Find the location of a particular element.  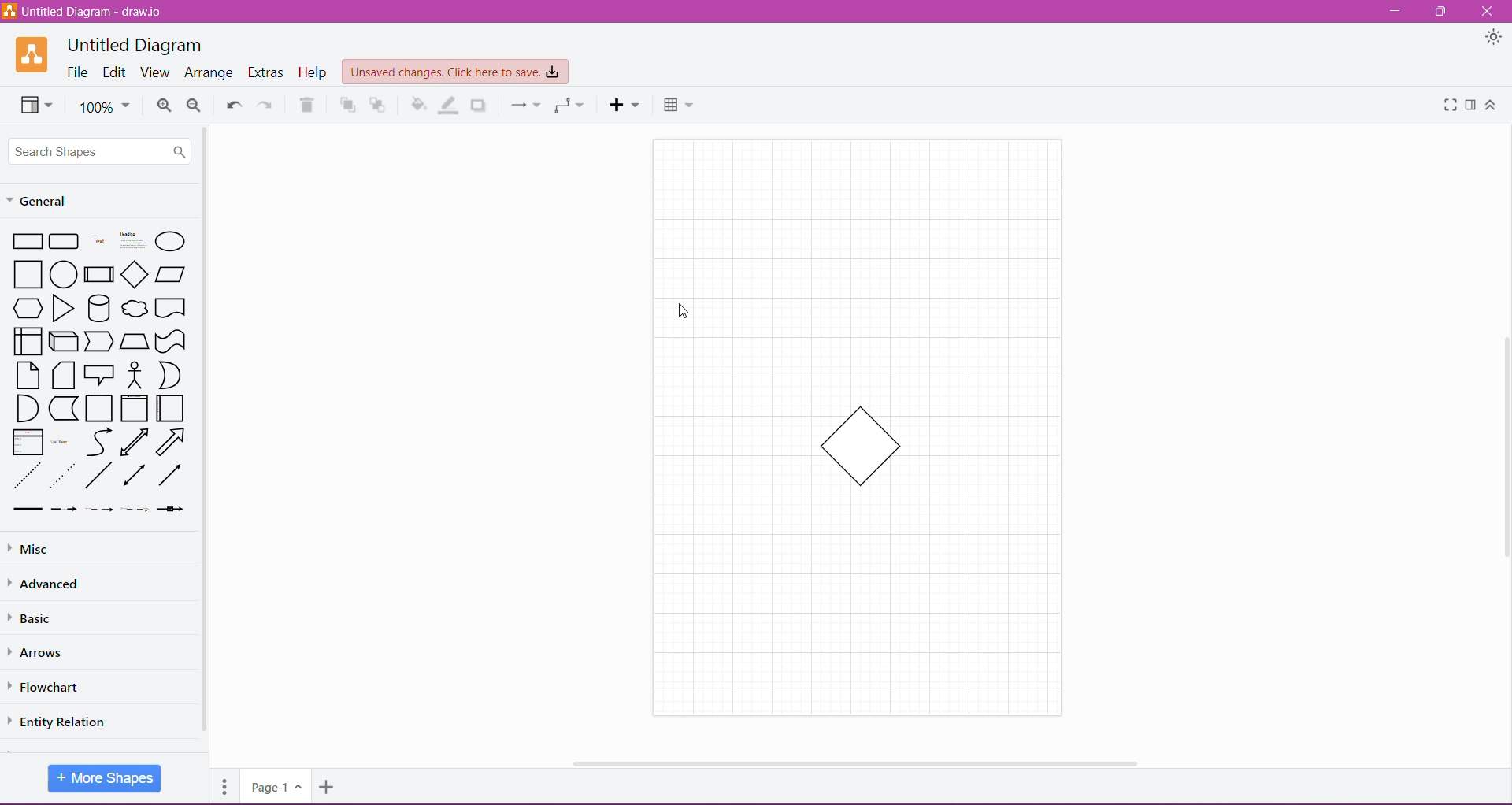

Line Color is located at coordinates (447, 104).